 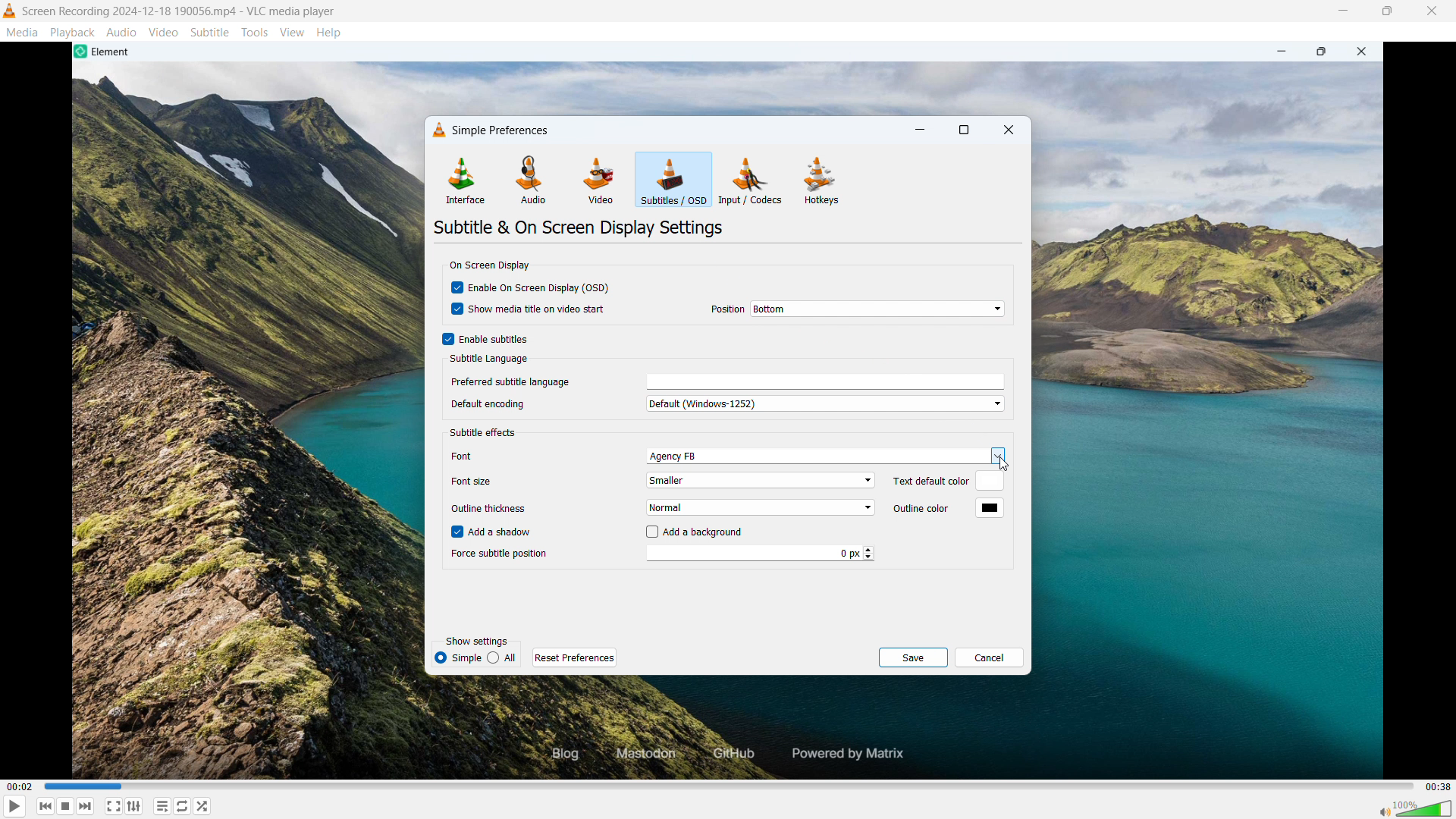 I want to click on hotkeys, so click(x=822, y=180).